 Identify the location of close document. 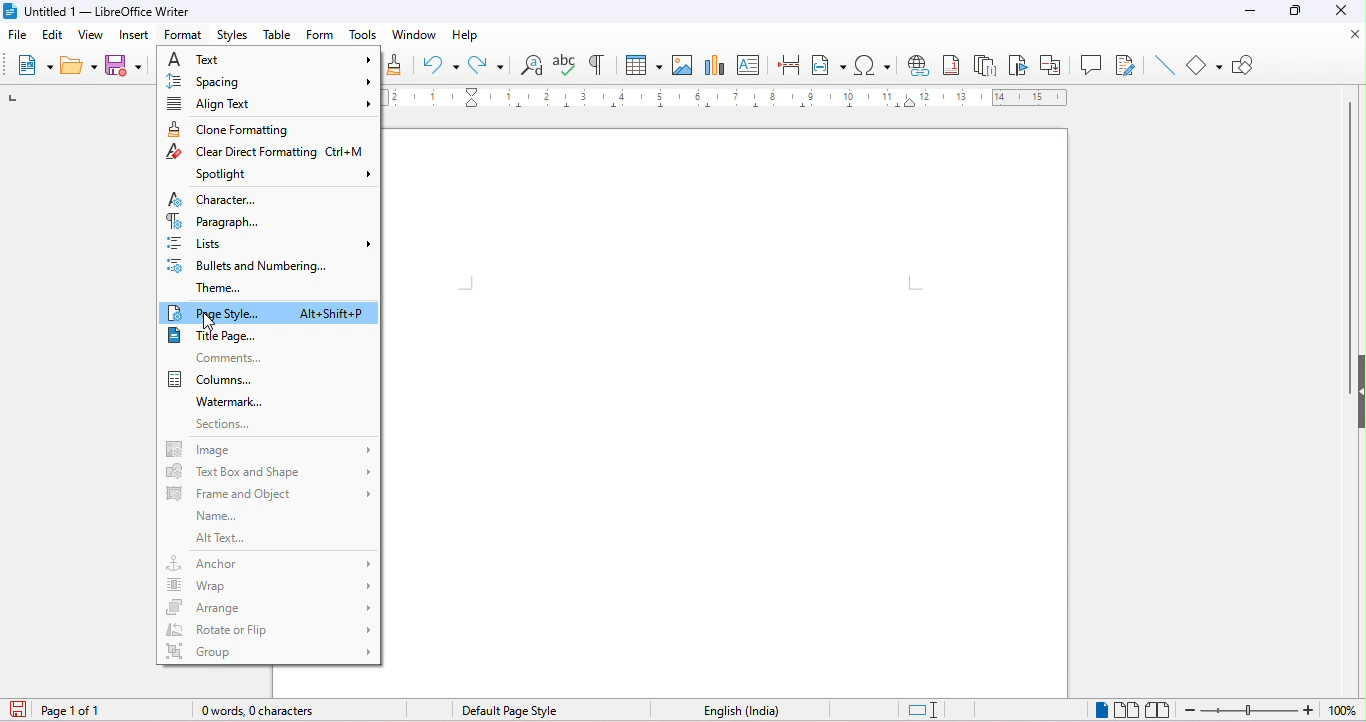
(1344, 34).